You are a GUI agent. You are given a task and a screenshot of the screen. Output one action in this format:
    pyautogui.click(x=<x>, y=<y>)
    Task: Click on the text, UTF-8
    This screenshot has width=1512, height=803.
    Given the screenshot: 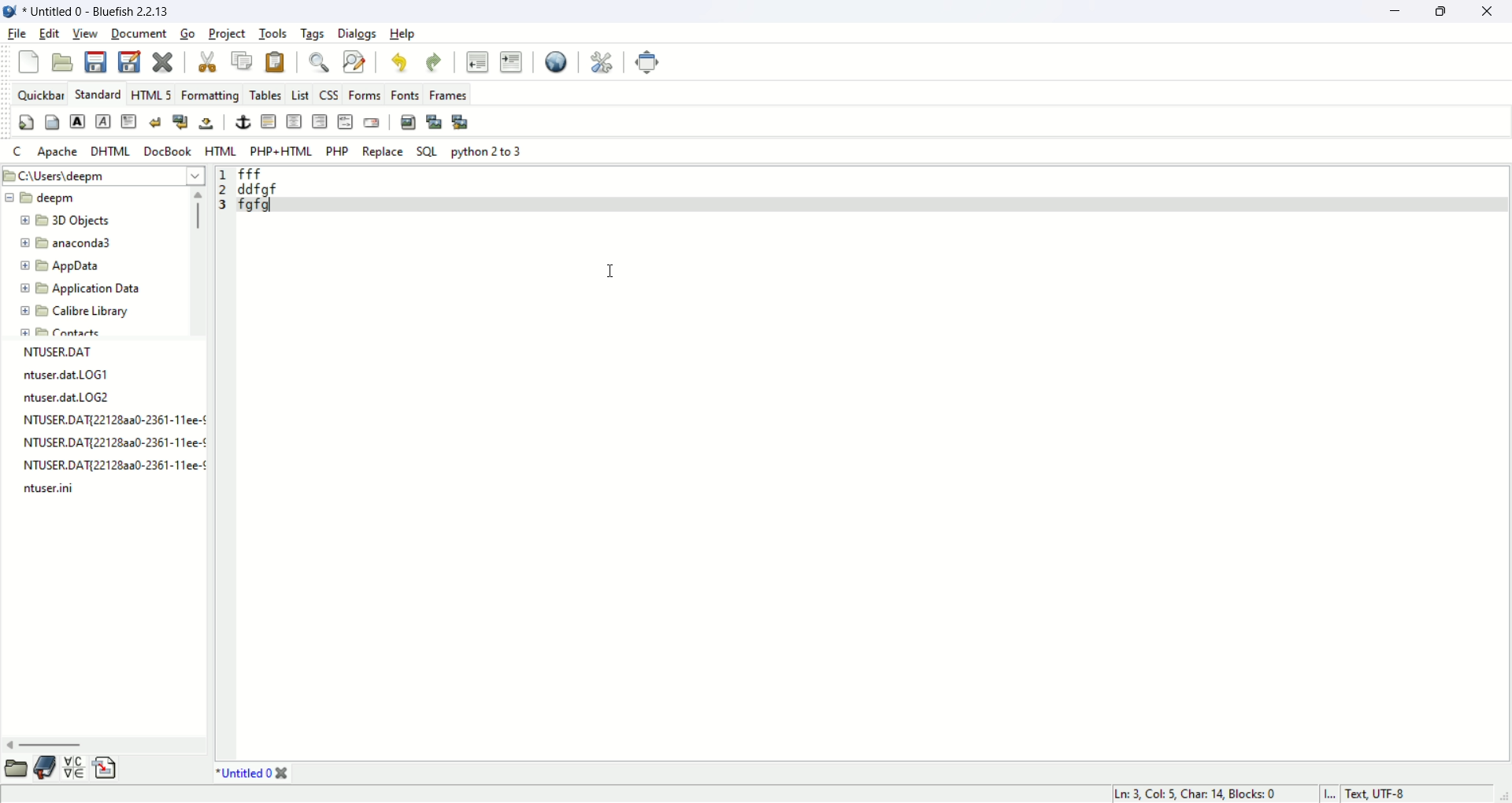 What is the action you would take?
    pyautogui.click(x=1385, y=794)
    